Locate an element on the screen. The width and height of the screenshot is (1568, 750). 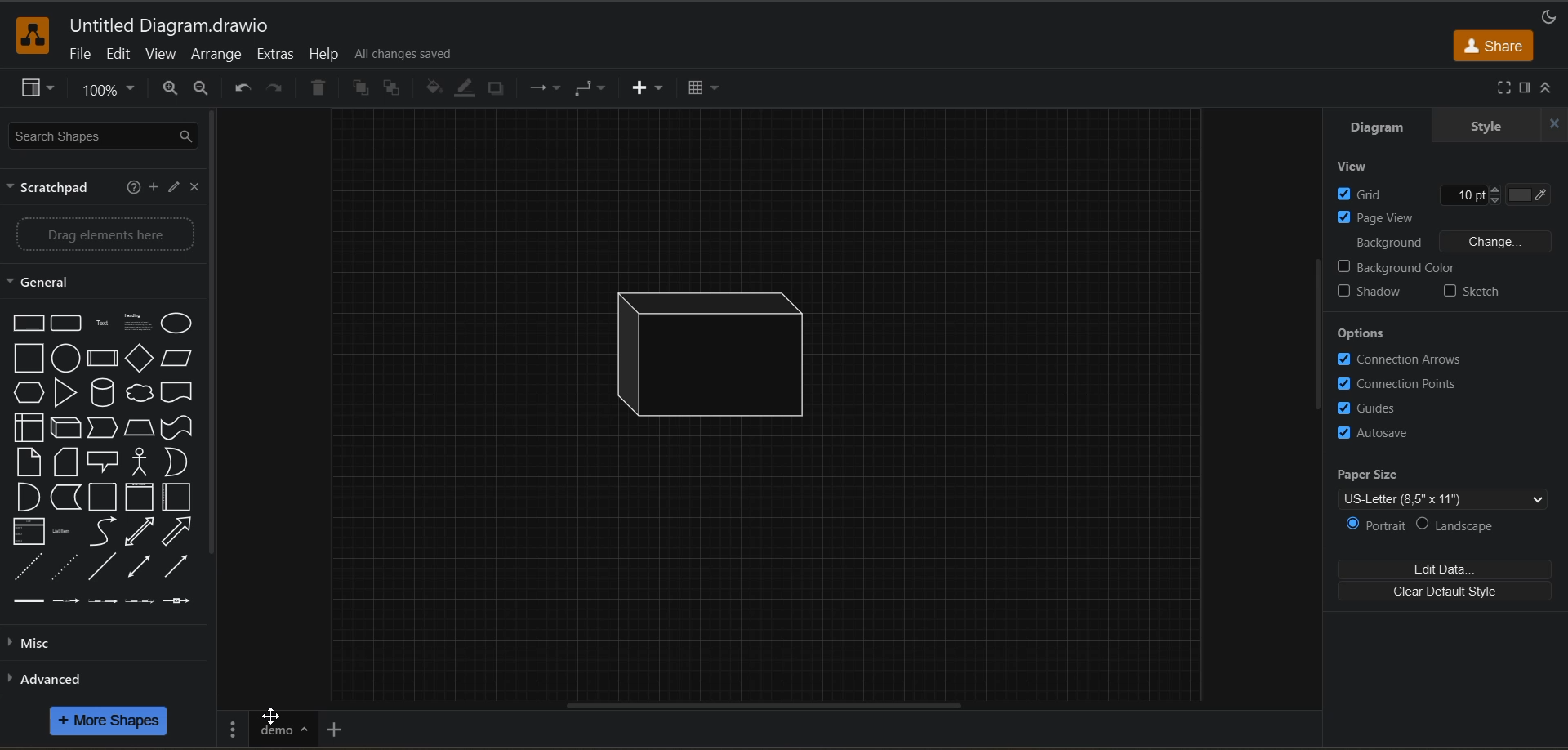
style is located at coordinates (1490, 128).